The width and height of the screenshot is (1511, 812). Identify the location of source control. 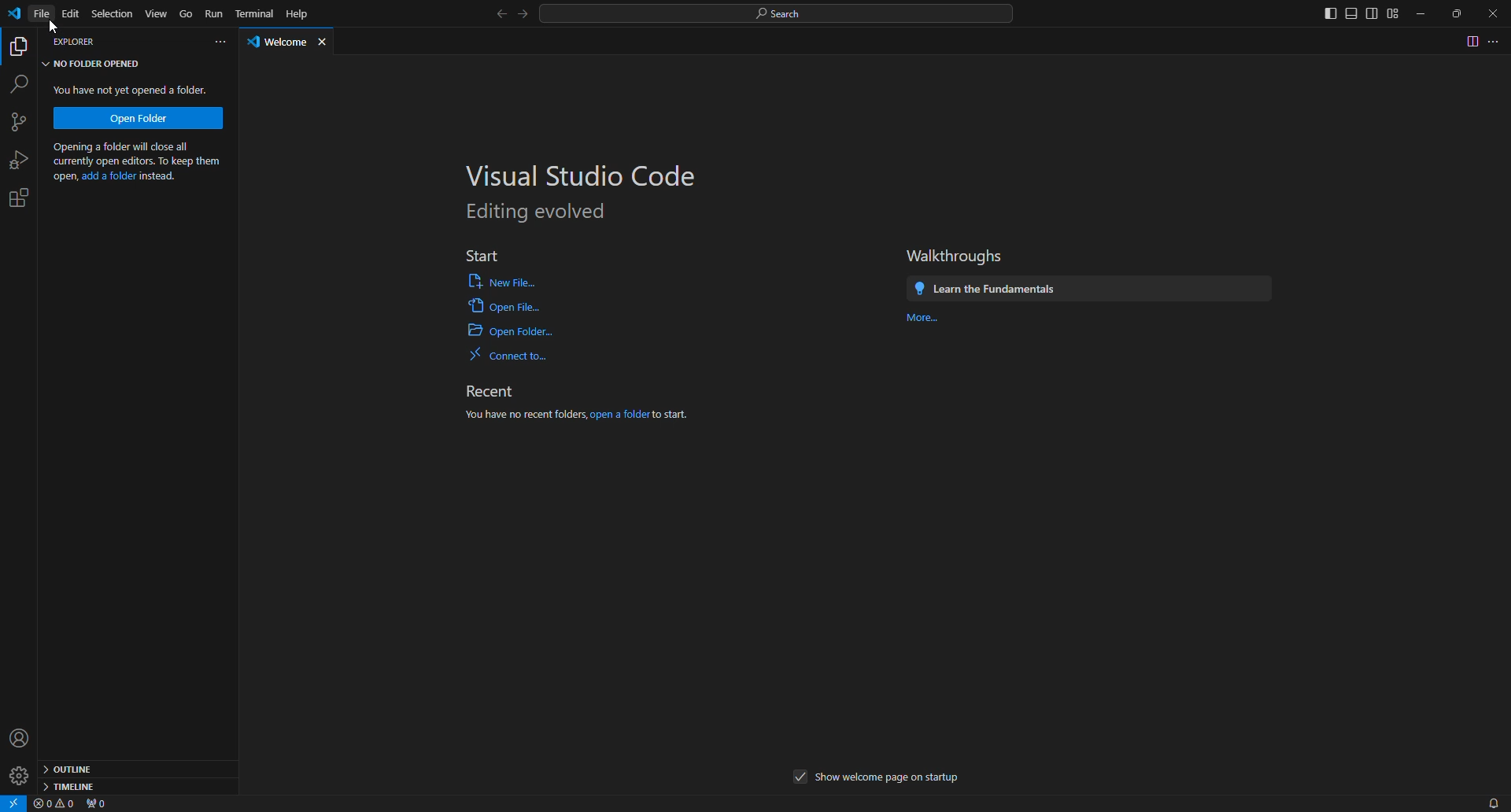
(24, 123).